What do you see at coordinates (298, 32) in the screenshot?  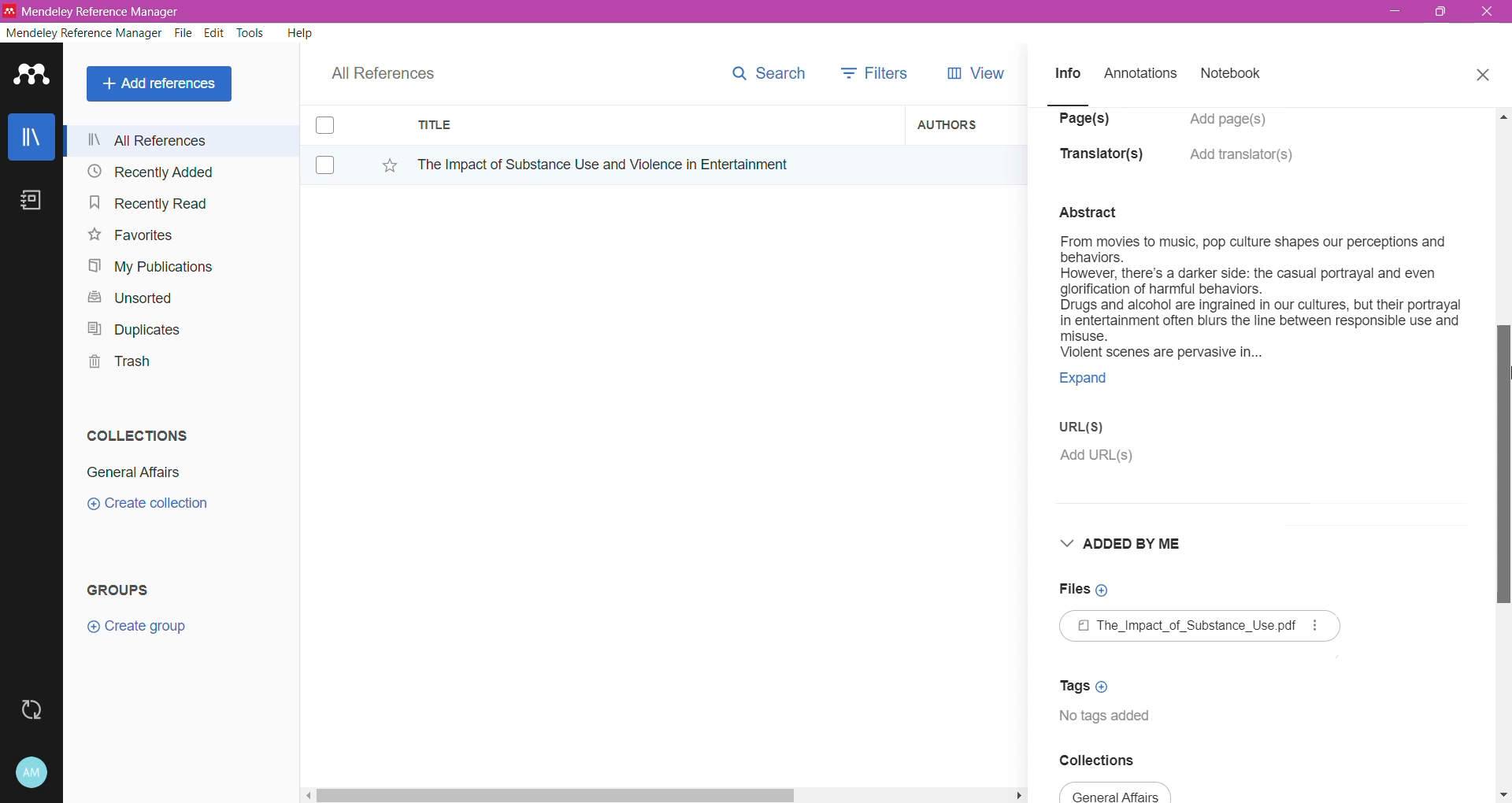 I see `Help` at bounding box center [298, 32].